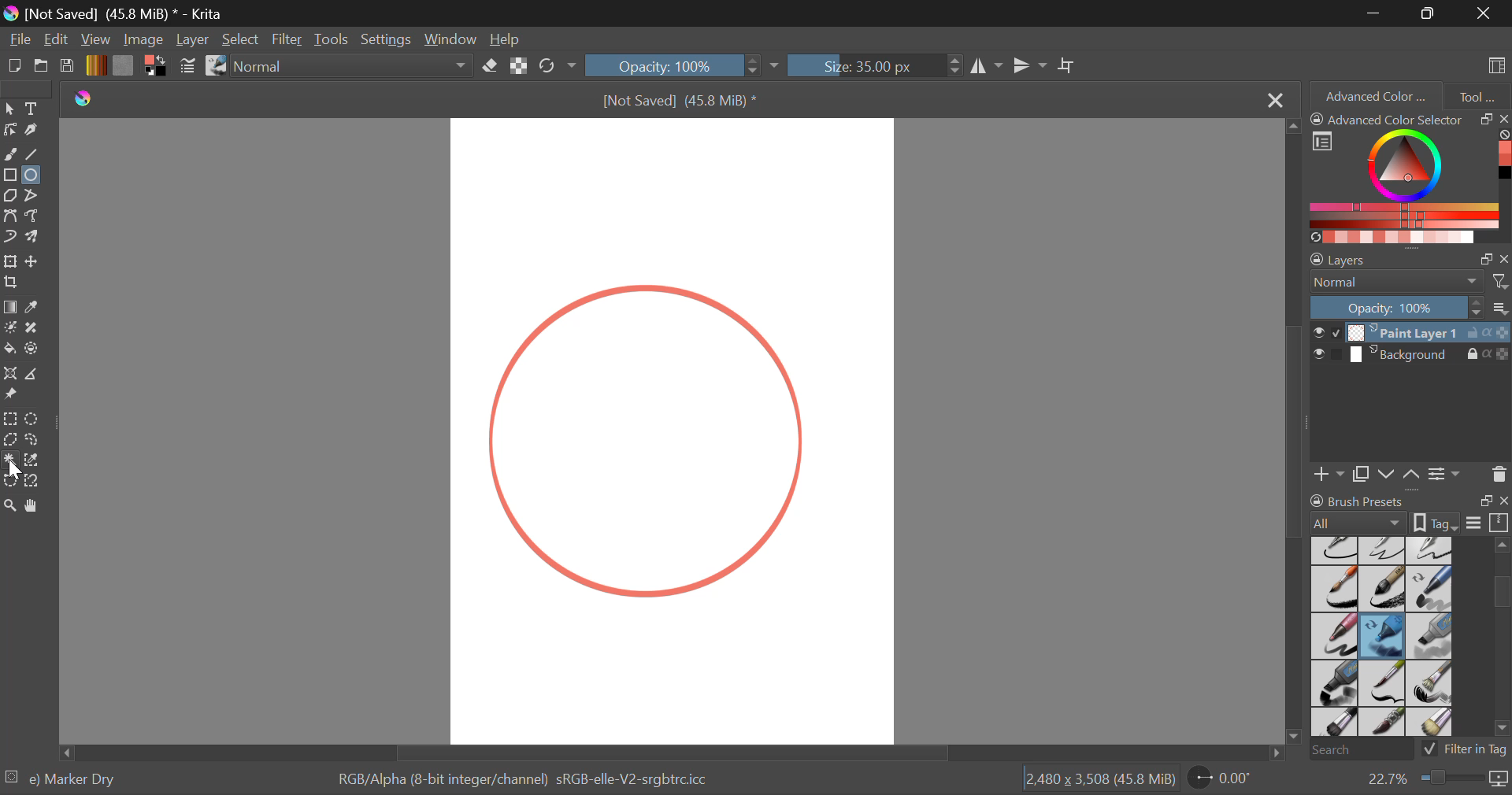  Describe the element at coordinates (32, 419) in the screenshot. I see `Elliptical Selection Tool` at that location.